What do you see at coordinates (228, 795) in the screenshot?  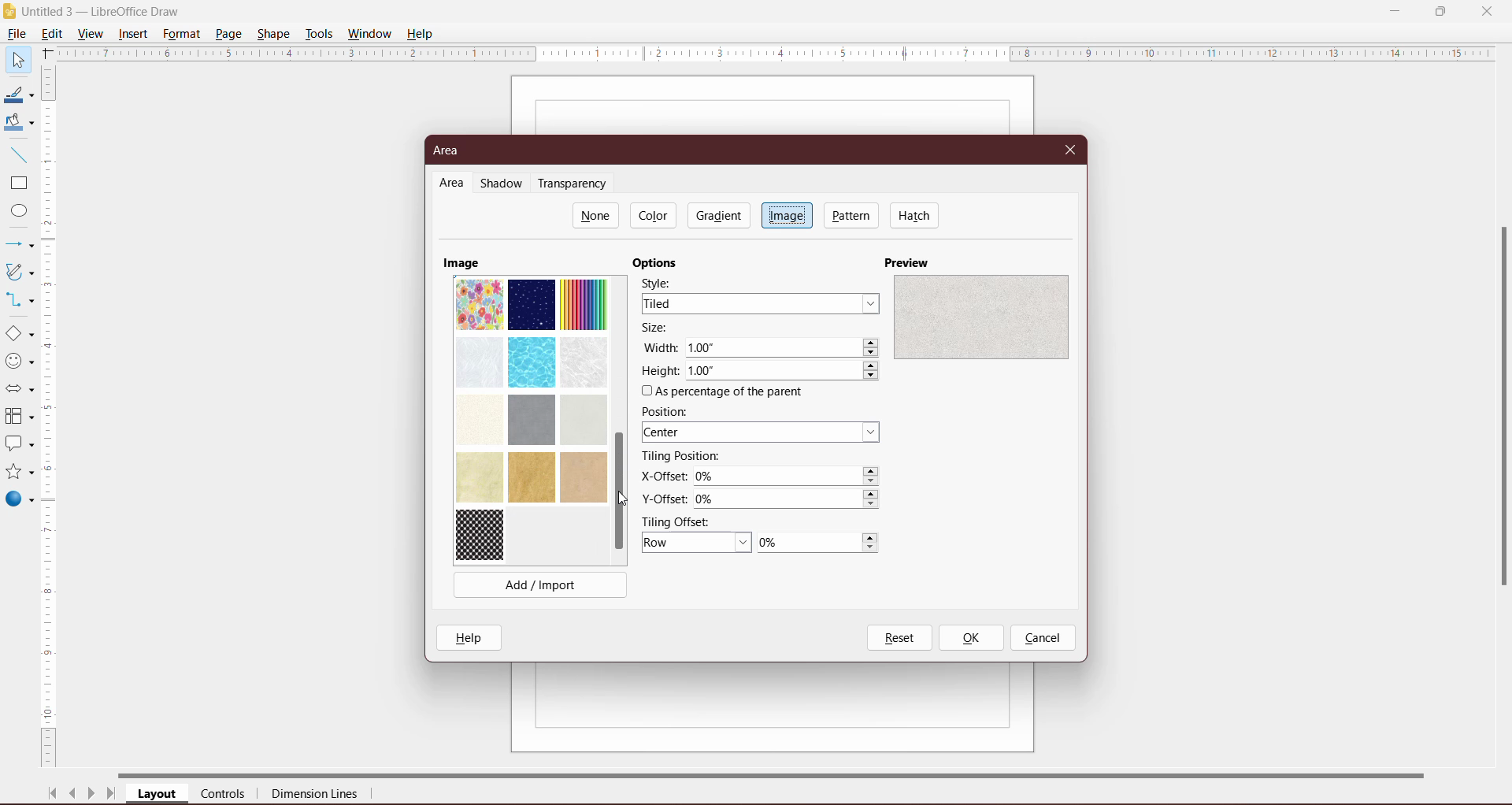 I see `Controls` at bounding box center [228, 795].